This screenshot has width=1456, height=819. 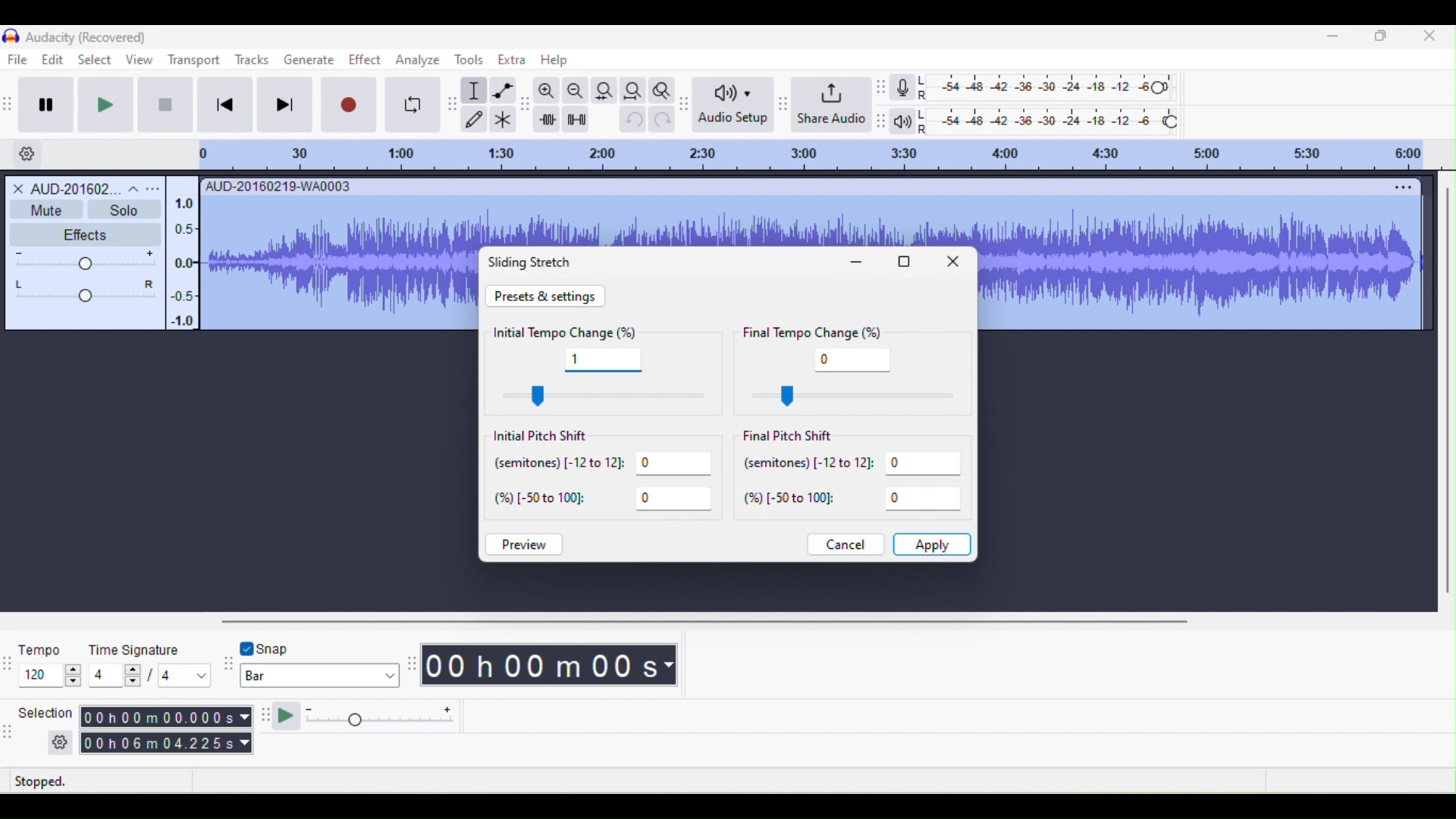 What do you see at coordinates (309, 60) in the screenshot?
I see `generate` at bounding box center [309, 60].